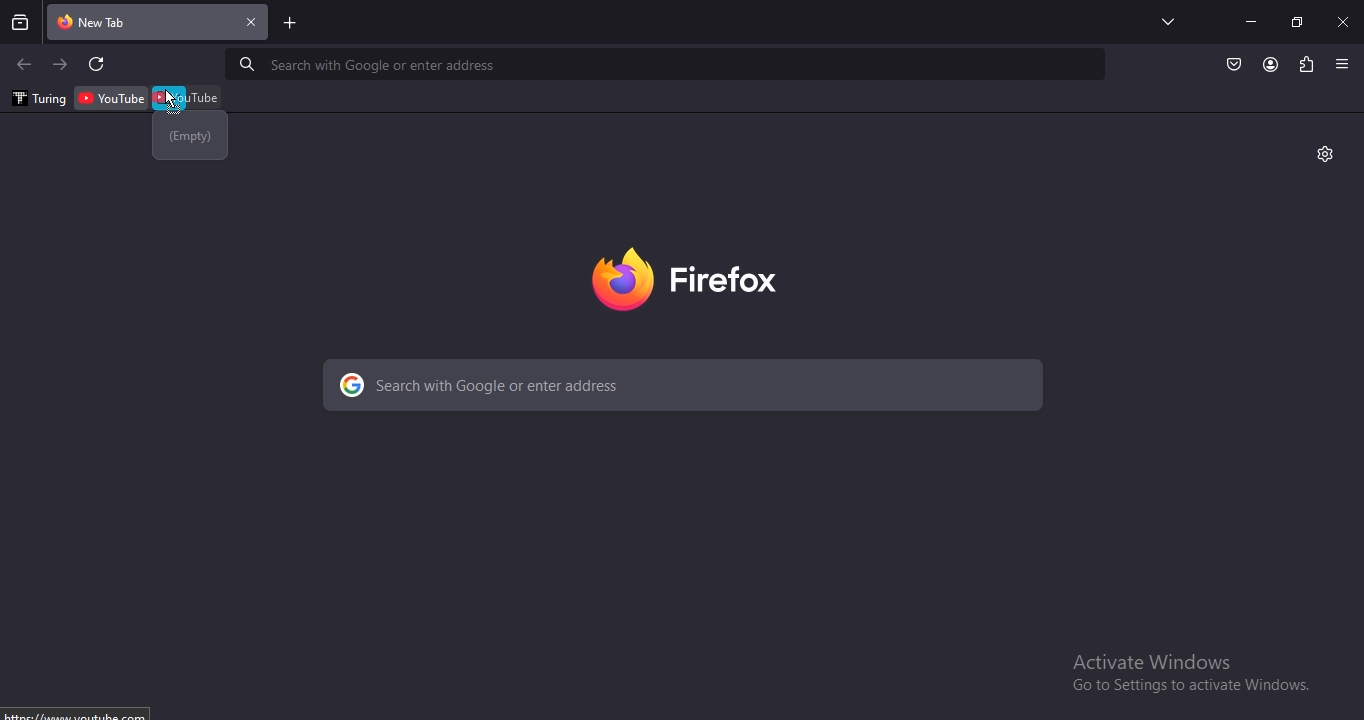  Describe the element at coordinates (1170, 21) in the screenshot. I see `search tabs` at that location.